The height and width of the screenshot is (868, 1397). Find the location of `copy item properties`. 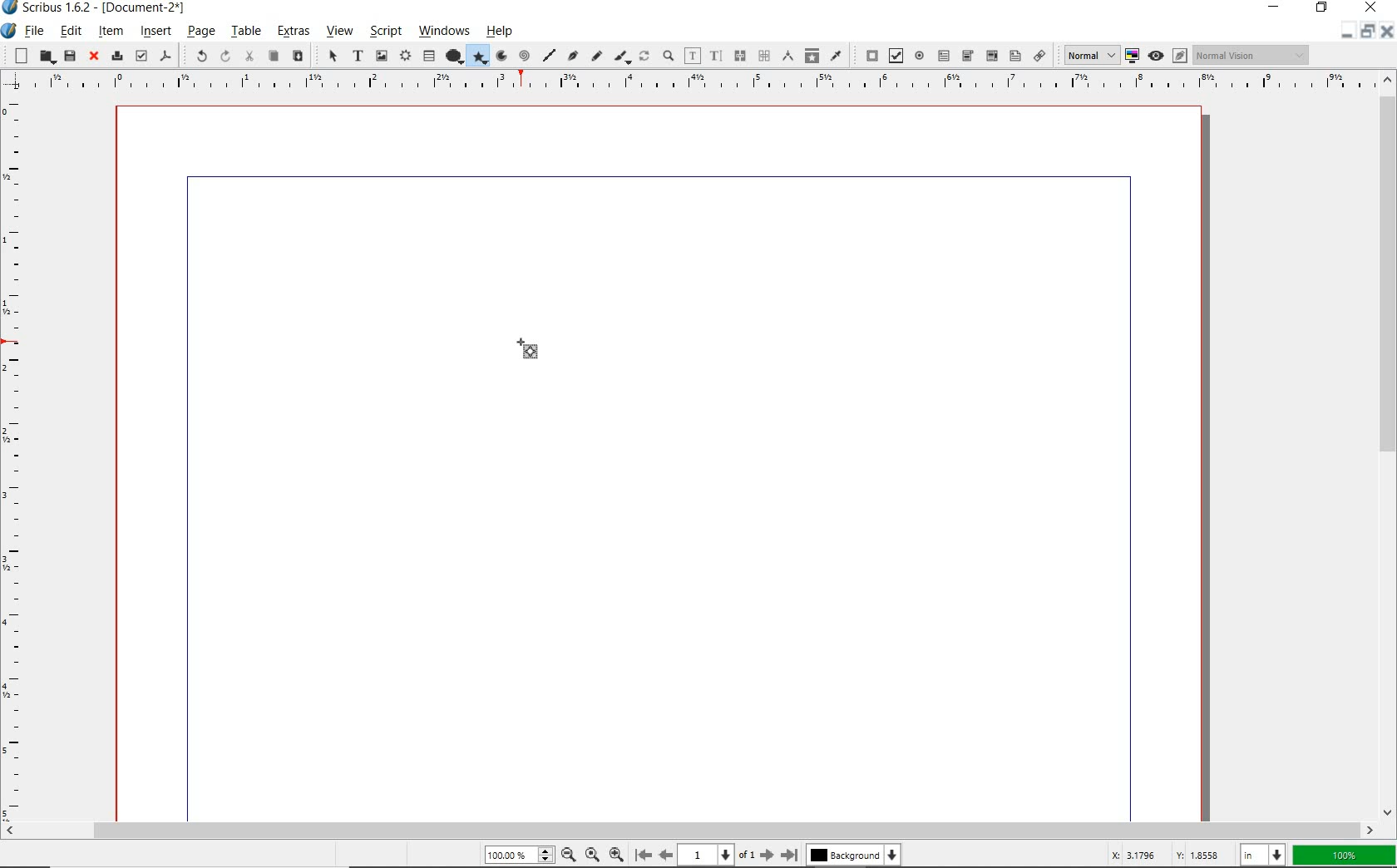

copy item properties is located at coordinates (813, 57).